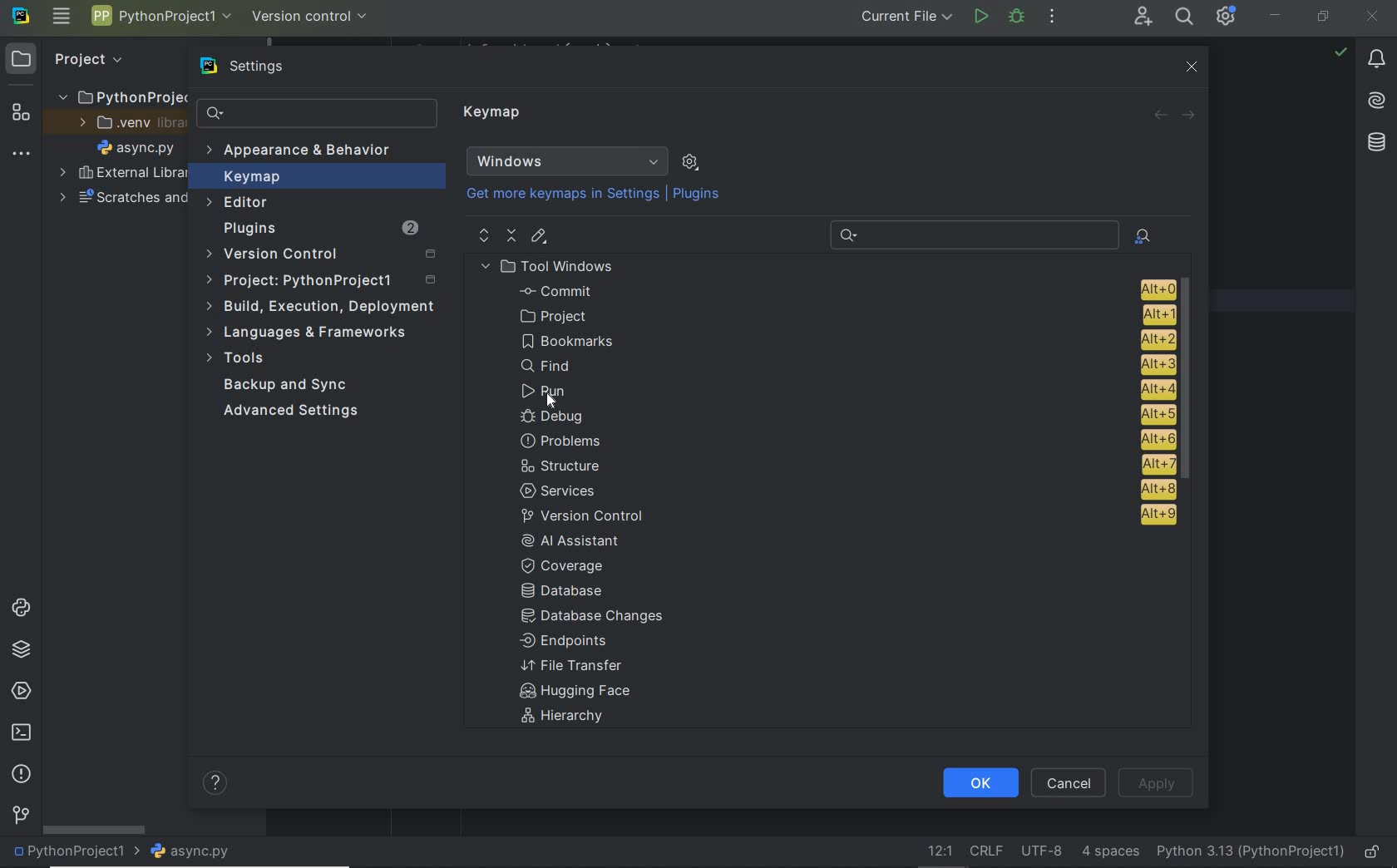 The height and width of the screenshot is (868, 1397). What do you see at coordinates (72, 58) in the screenshot?
I see `Project` at bounding box center [72, 58].